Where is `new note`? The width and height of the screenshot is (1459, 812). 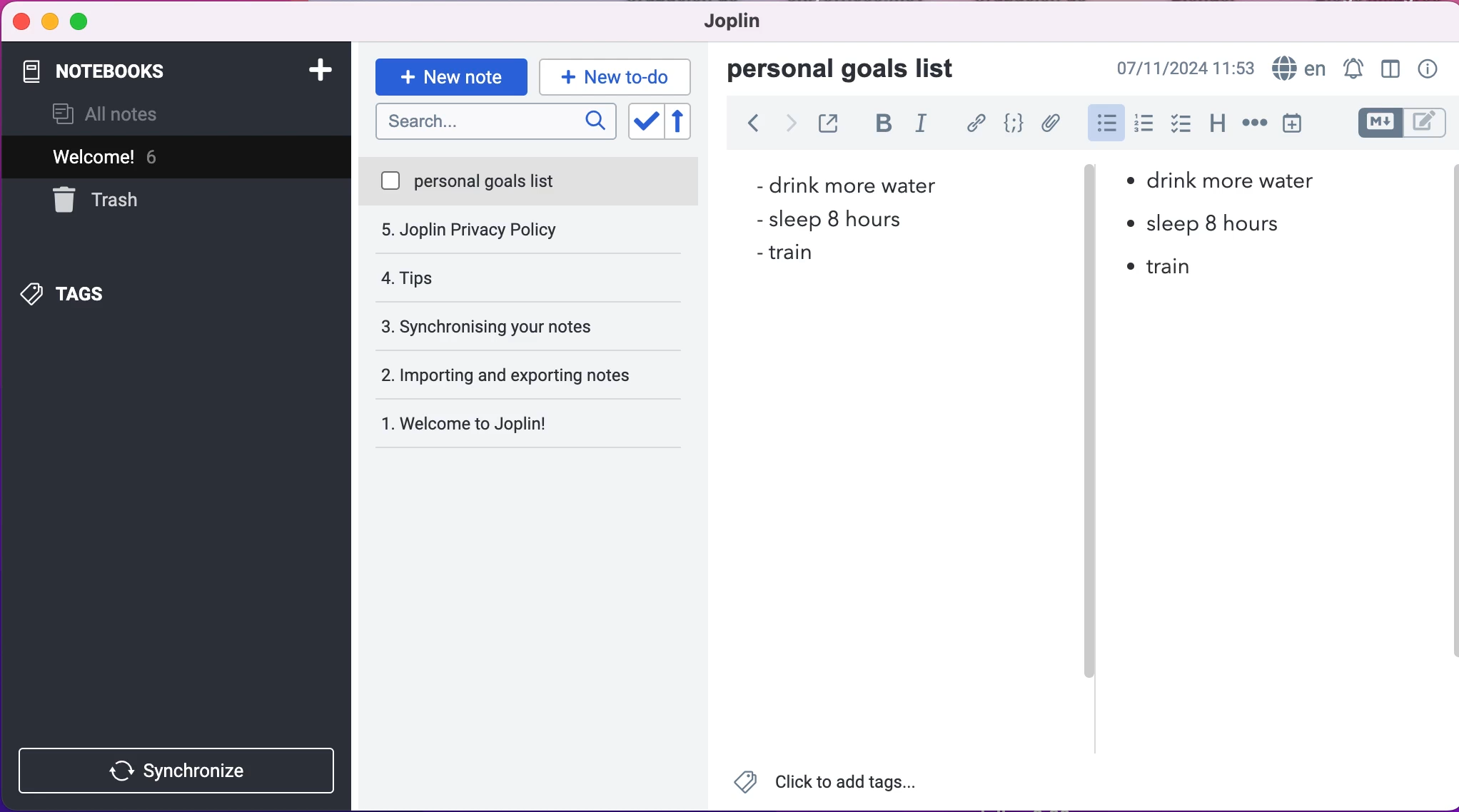
new note is located at coordinates (450, 76).